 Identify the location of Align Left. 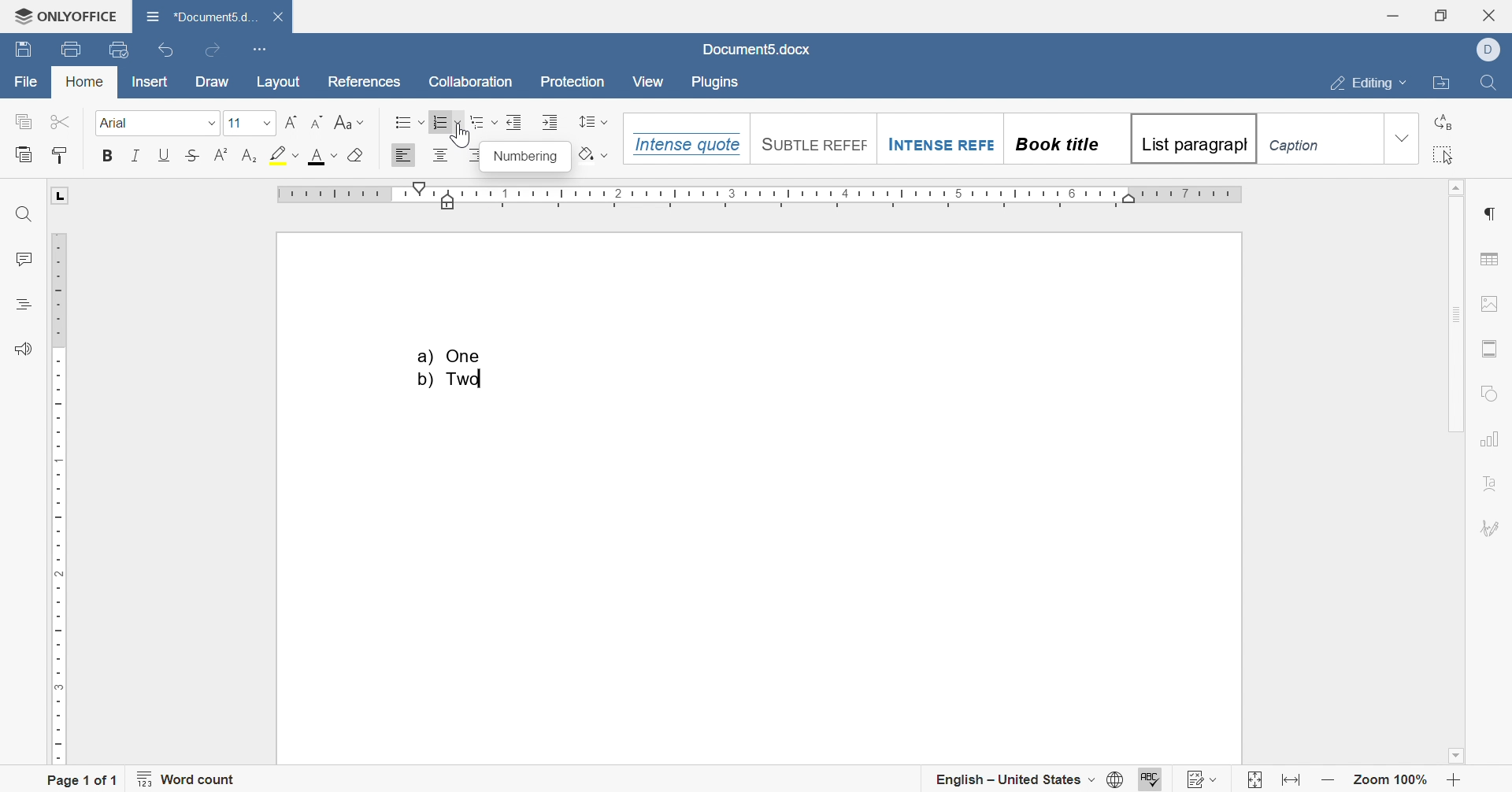
(404, 154).